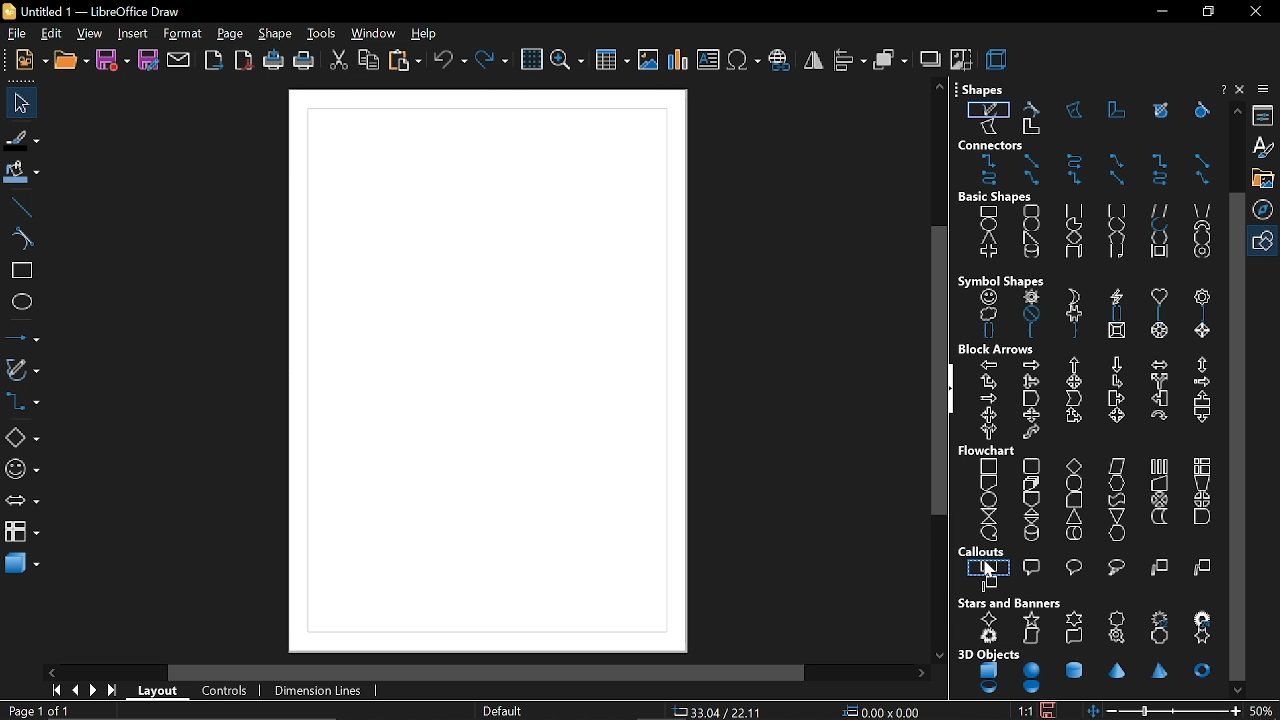 The width and height of the screenshot is (1280, 720). What do you see at coordinates (984, 315) in the screenshot?
I see `cloud` at bounding box center [984, 315].